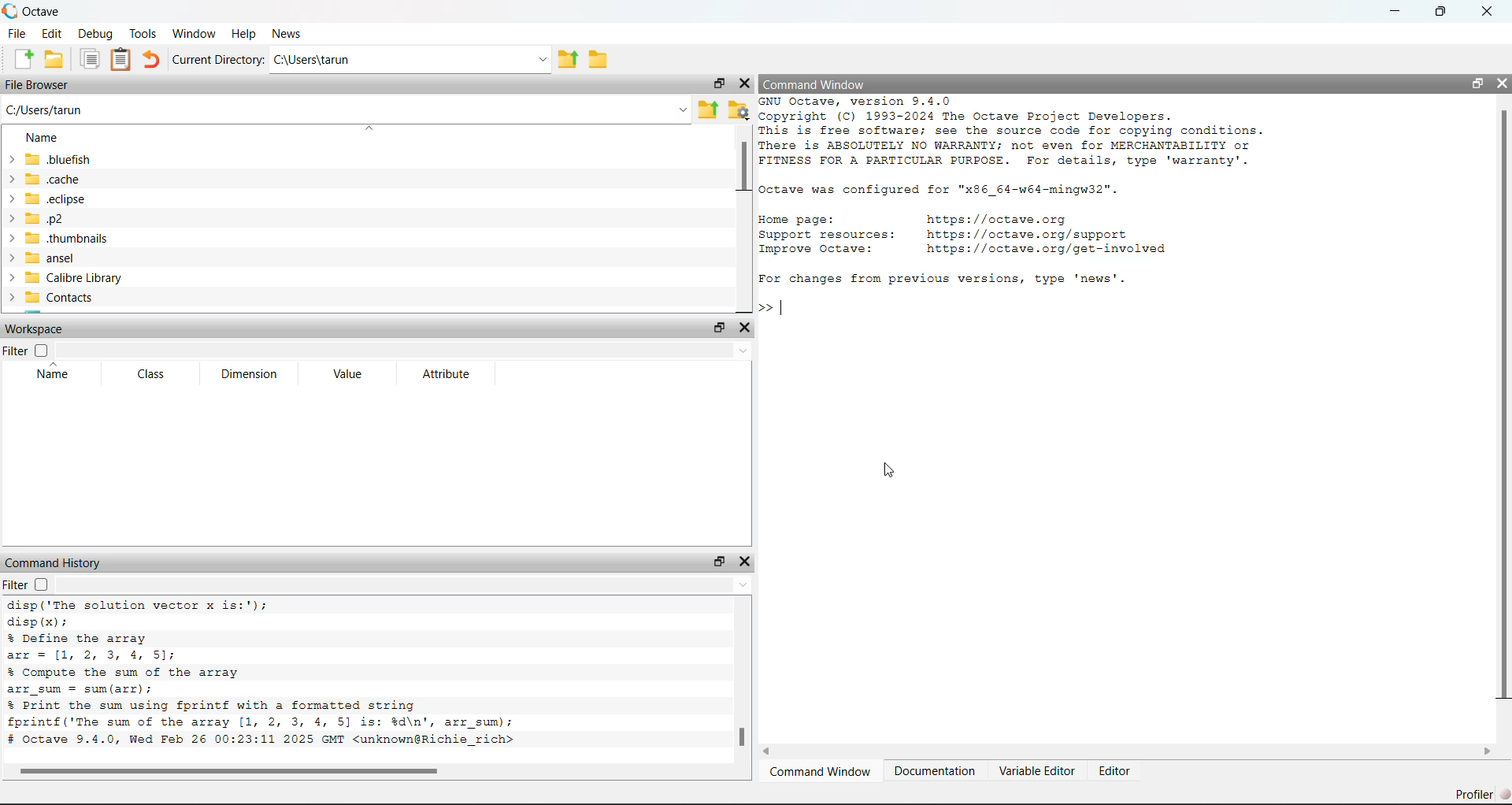 Image resolution: width=1512 pixels, height=805 pixels. What do you see at coordinates (11, 11) in the screenshot?
I see `logo` at bounding box center [11, 11].